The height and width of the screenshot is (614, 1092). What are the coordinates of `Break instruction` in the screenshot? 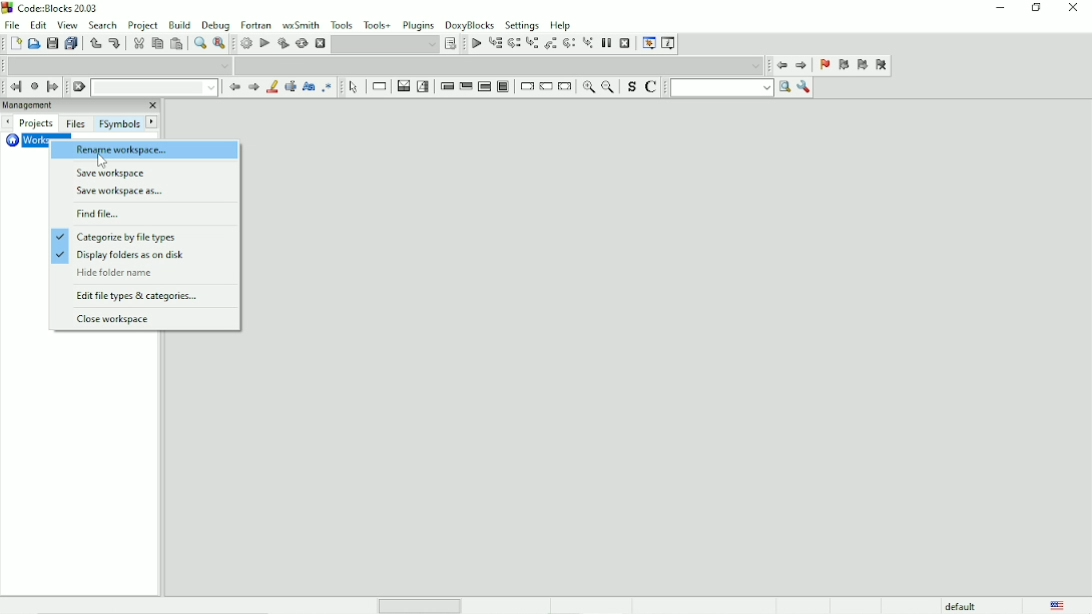 It's located at (526, 87).